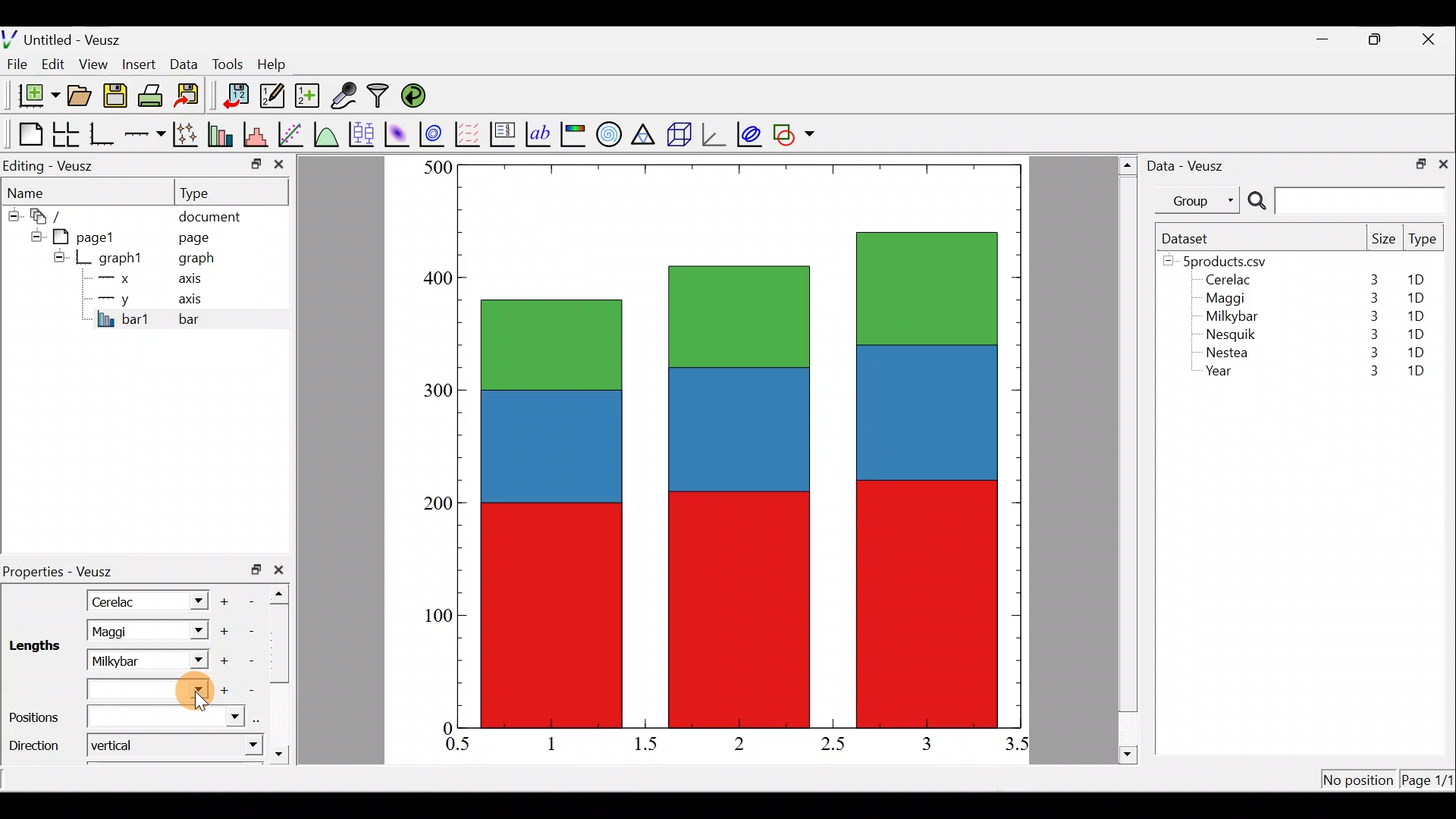 This screenshot has width=1456, height=819. What do you see at coordinates (209, 192) in the screenshot?
I see `Type` at bounding box center [209, 192].